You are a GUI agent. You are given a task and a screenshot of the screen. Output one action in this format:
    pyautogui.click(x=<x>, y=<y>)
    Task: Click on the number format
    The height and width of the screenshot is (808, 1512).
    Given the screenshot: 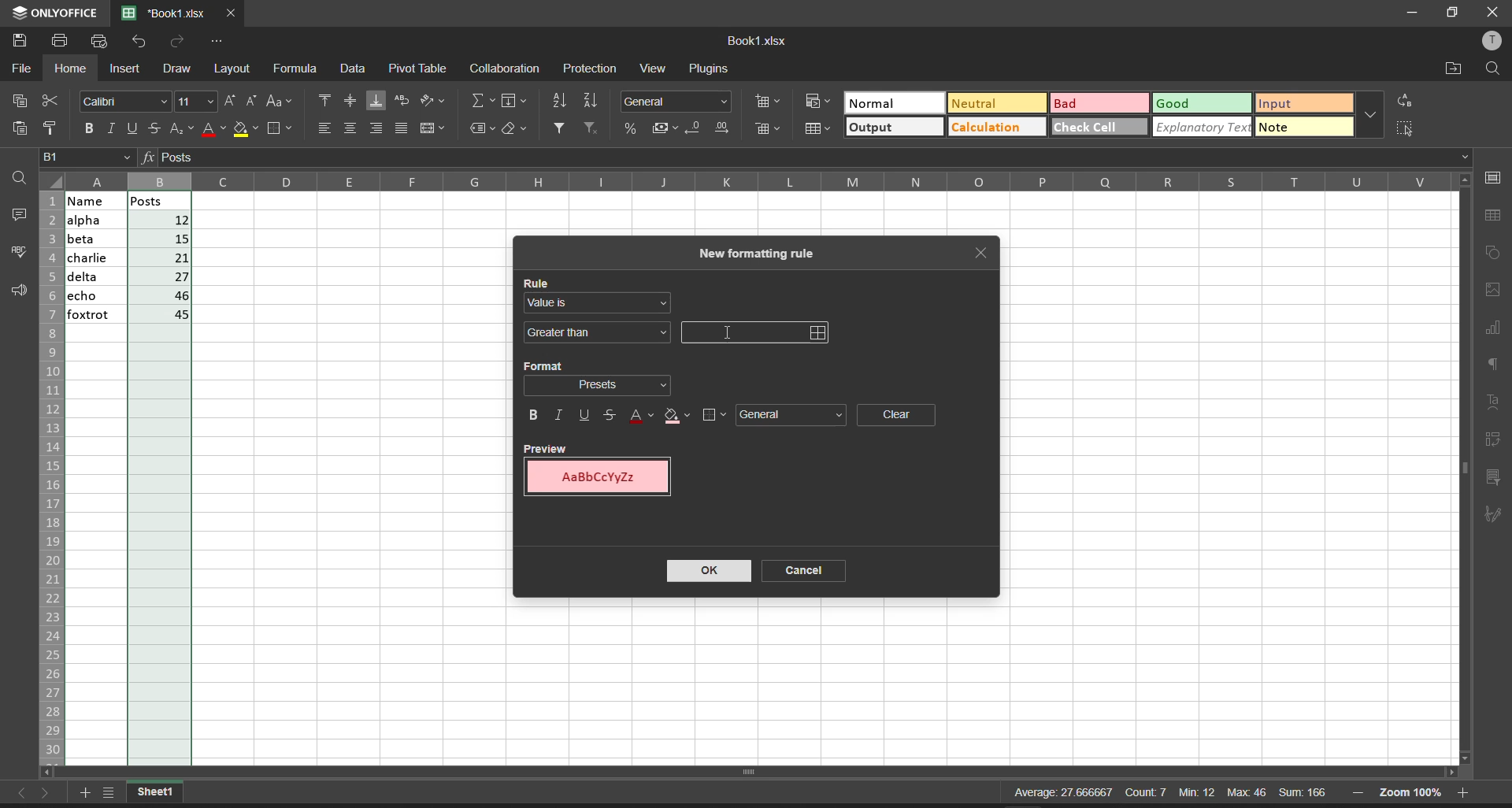 What is the action you would take?
    pyautogui.click(x=677, y=101)
    